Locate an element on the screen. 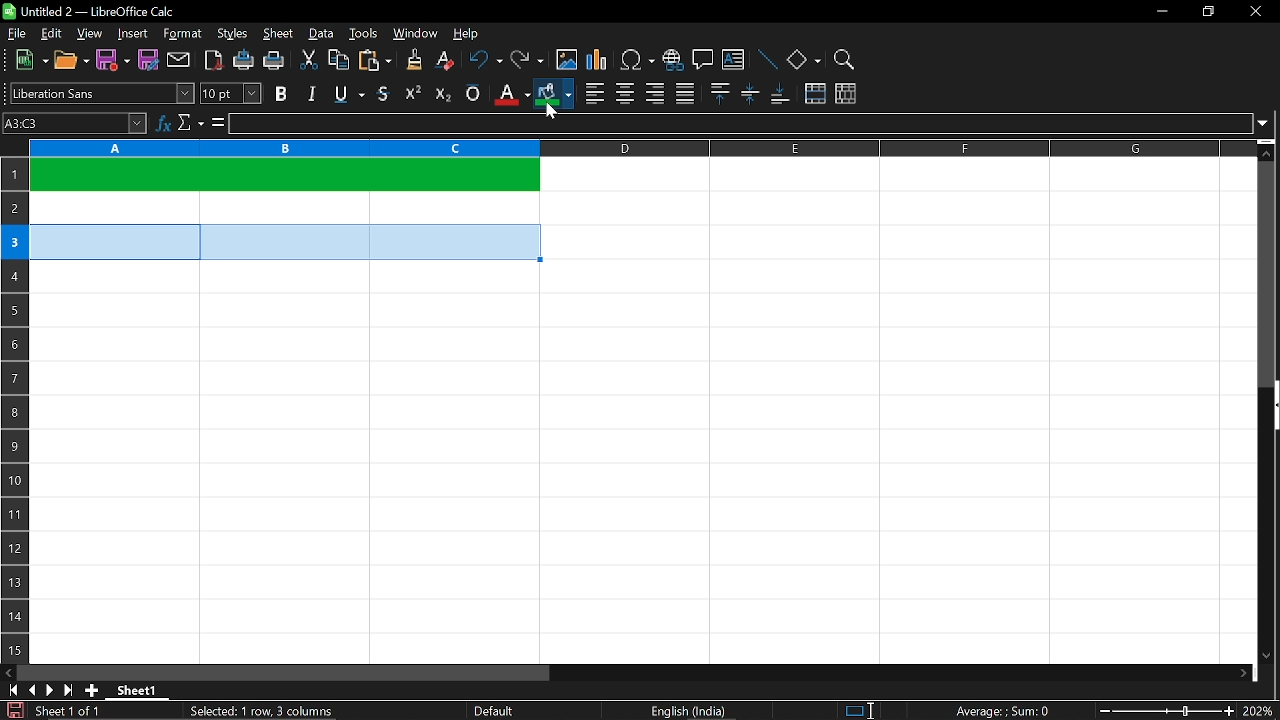  text size is located at coordinates (231, 93).